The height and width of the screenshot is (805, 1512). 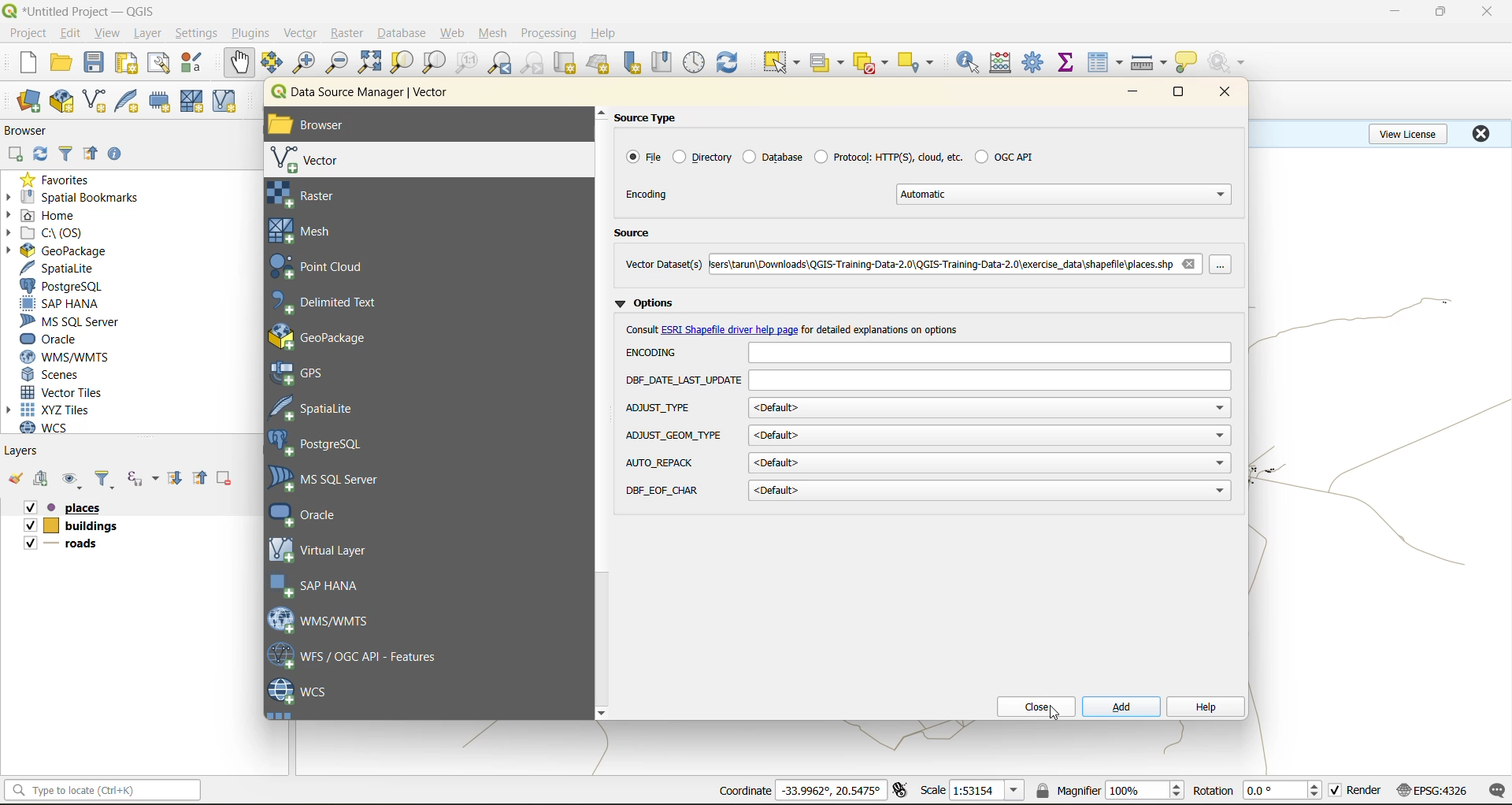 What do you see at coordinates (196, 62) in the screenshot?
I see `style management` at bounding box center [196, 62].